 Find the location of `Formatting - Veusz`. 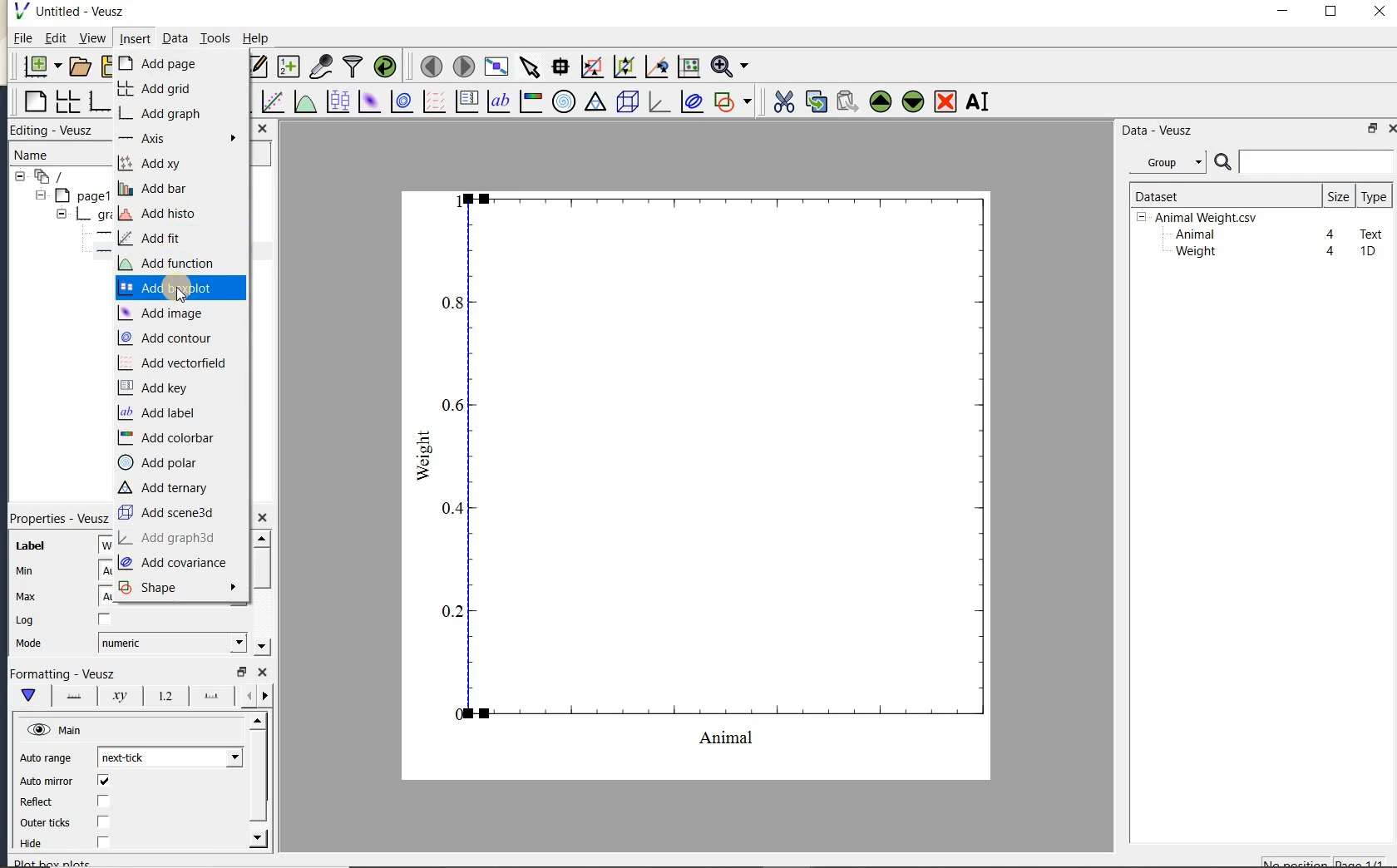

Formatting - Veusz is located at coordinates (62, 674).